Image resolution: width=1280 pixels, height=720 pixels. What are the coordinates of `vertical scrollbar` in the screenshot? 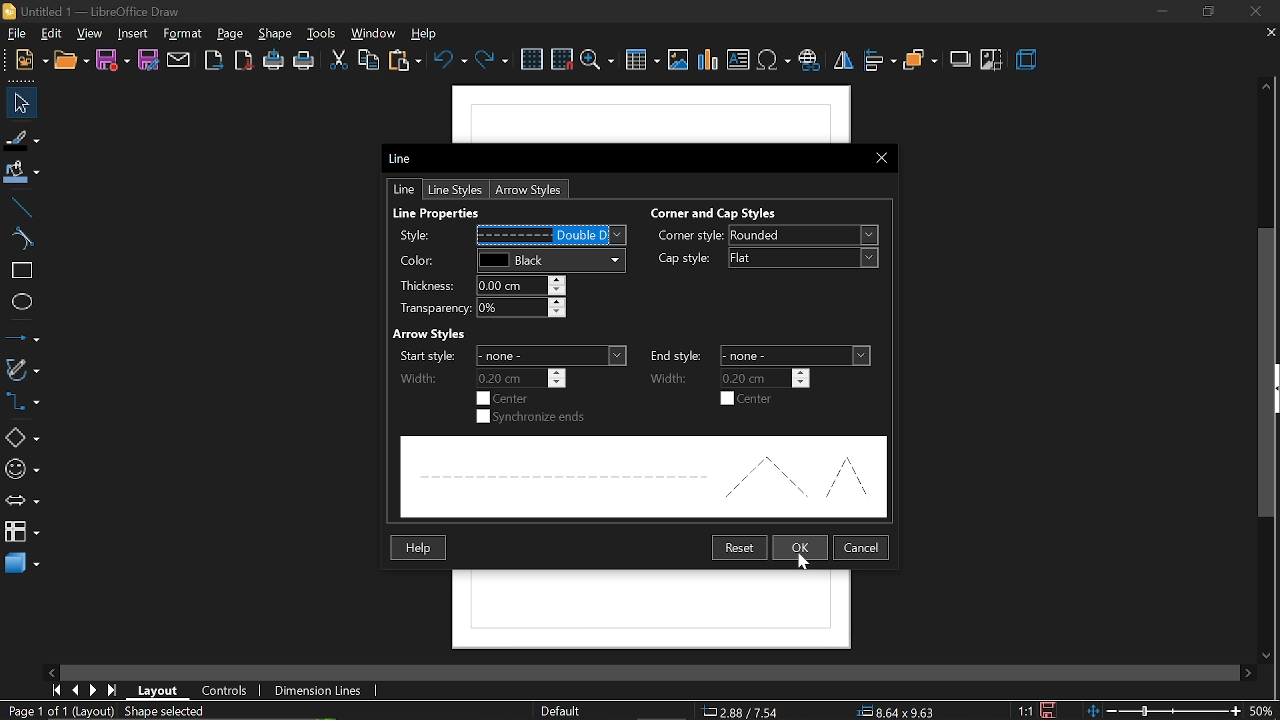 It's located at (1269, 372).